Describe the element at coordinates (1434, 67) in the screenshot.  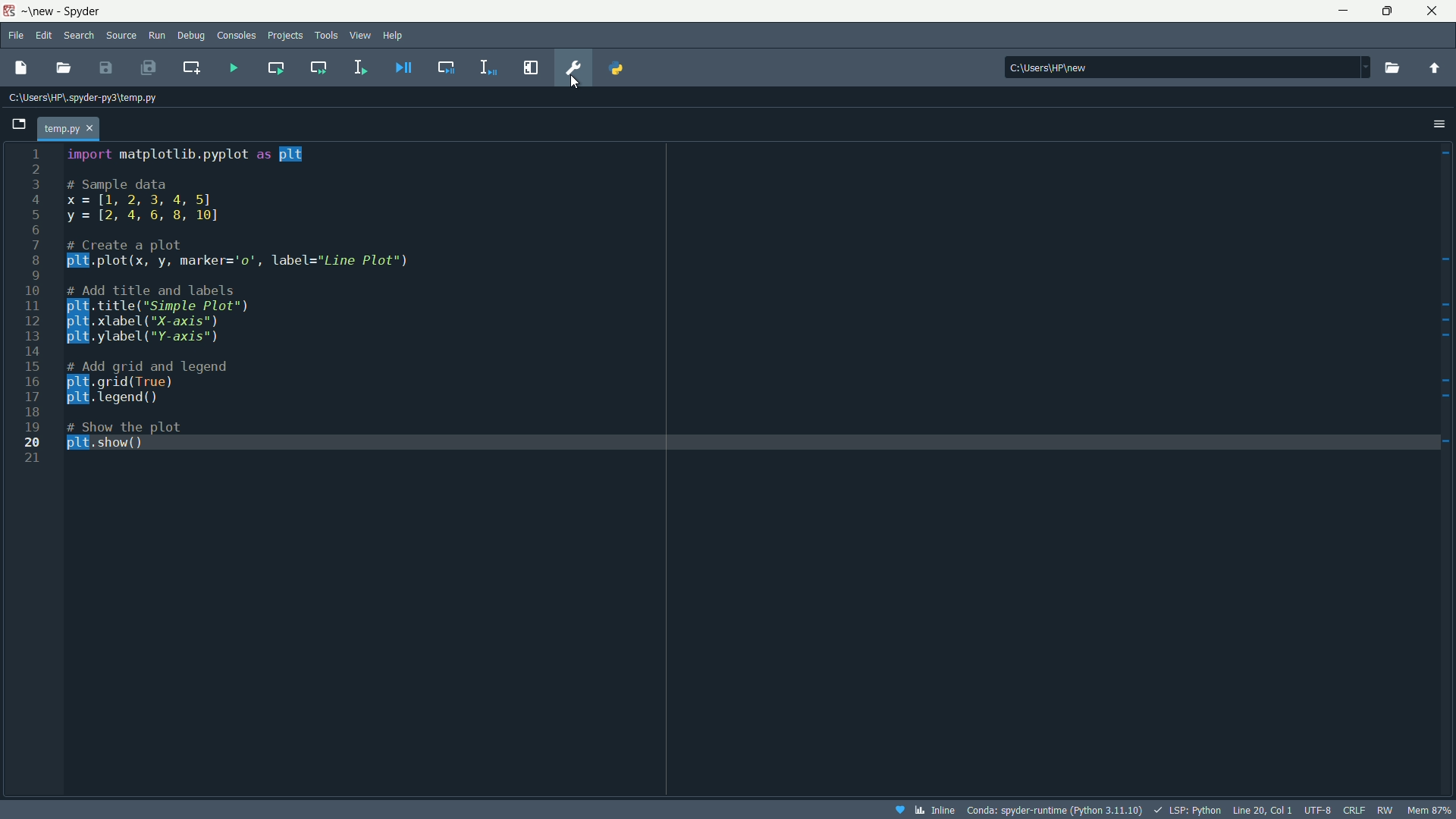
I see `parent directory` at that location.